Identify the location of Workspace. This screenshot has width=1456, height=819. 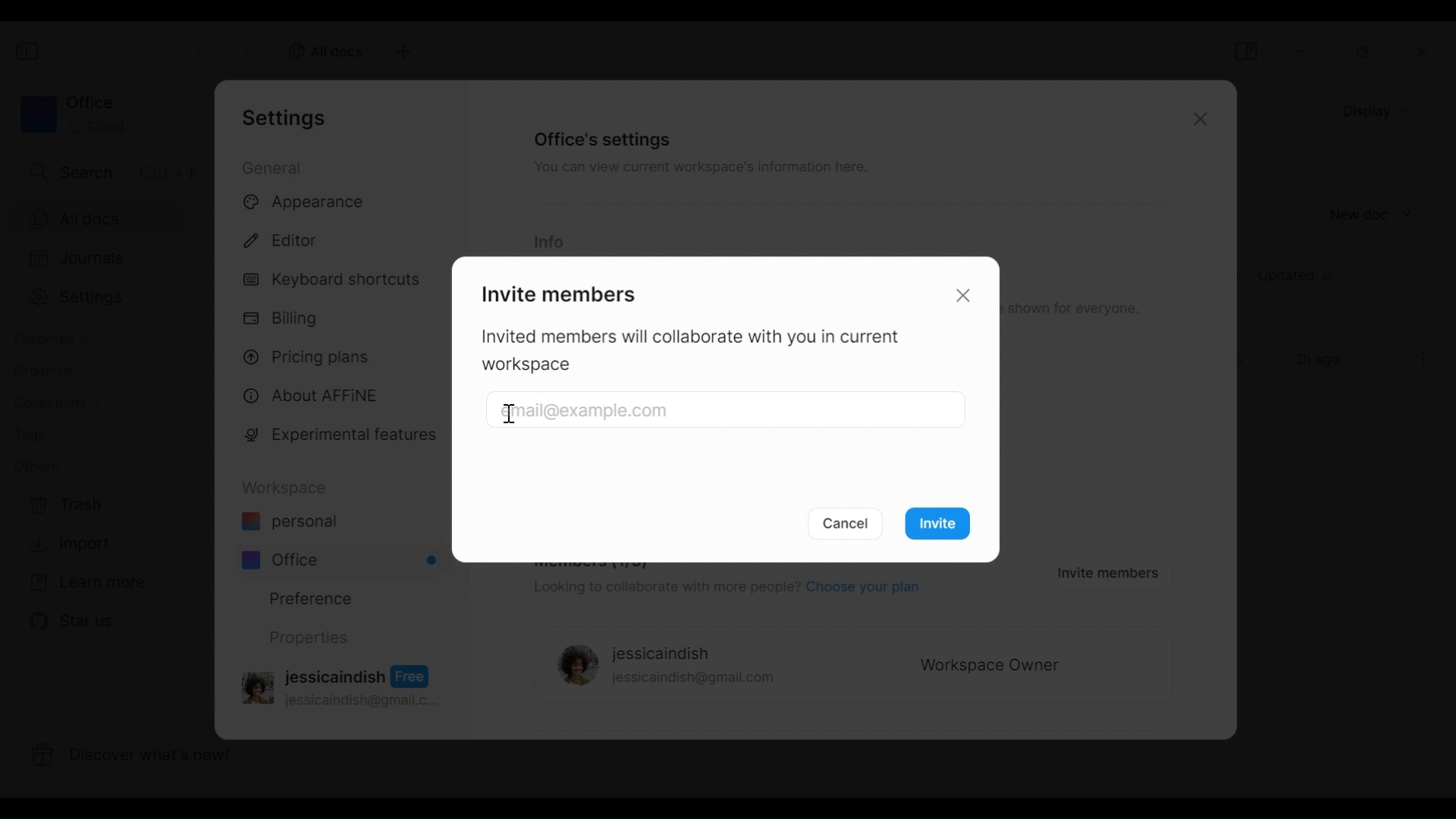
(289, 488).